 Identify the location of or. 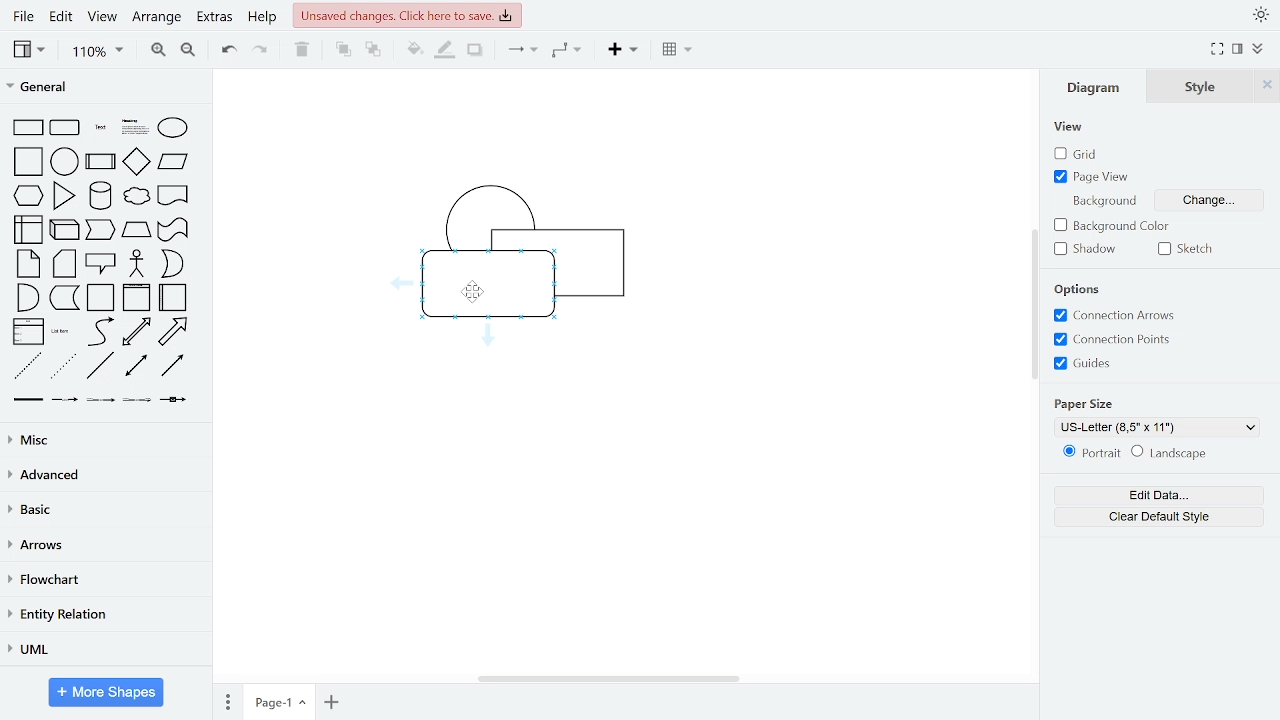
(172, 264).